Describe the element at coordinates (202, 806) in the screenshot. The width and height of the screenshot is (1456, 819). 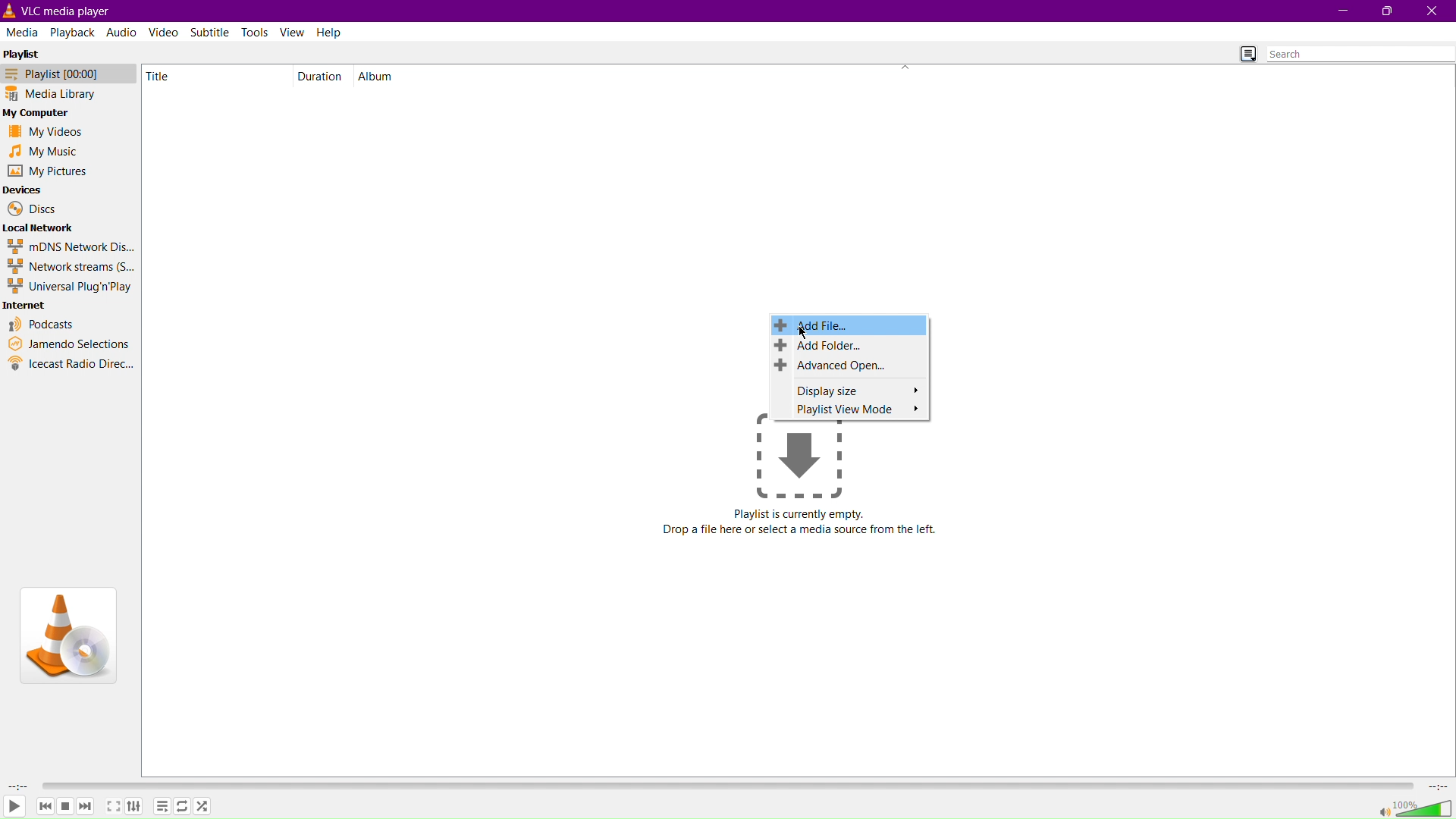
I see `Random` at that location.